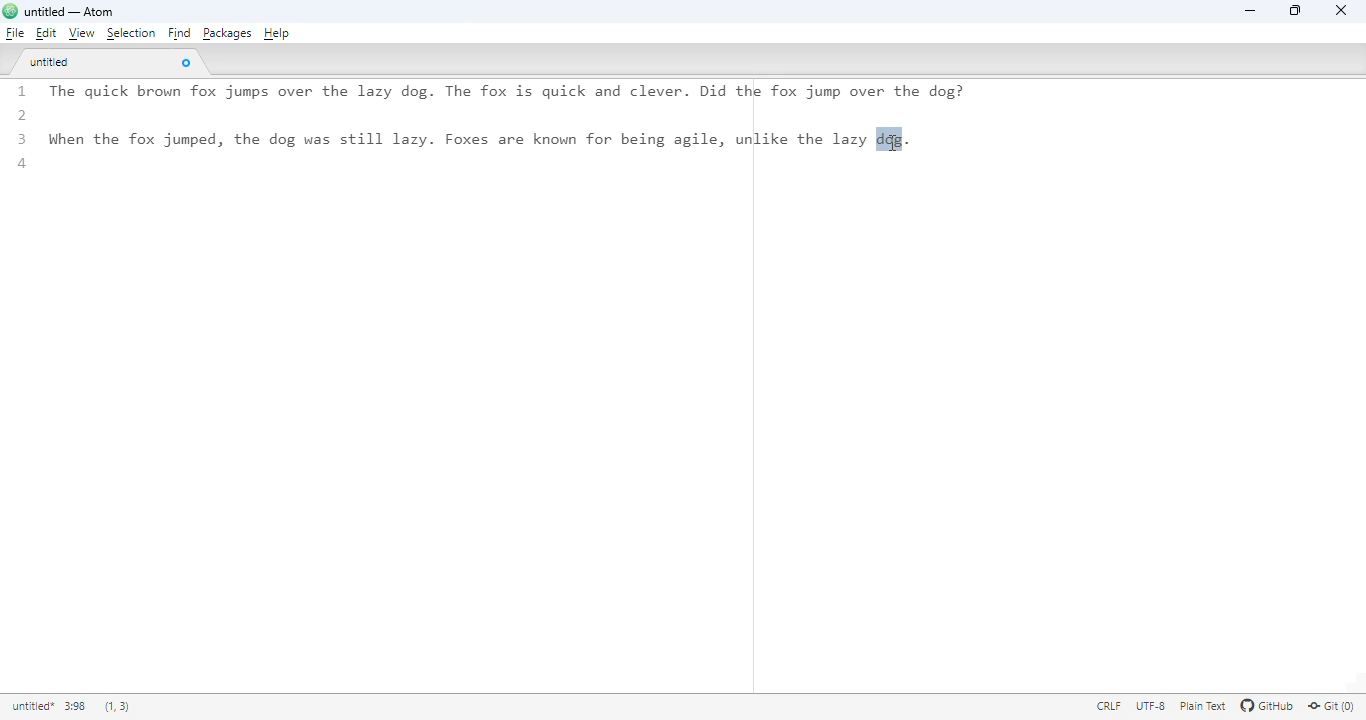  Describe the element at coordinates (10, 11) in the screenshot. I see `logo` at that location.